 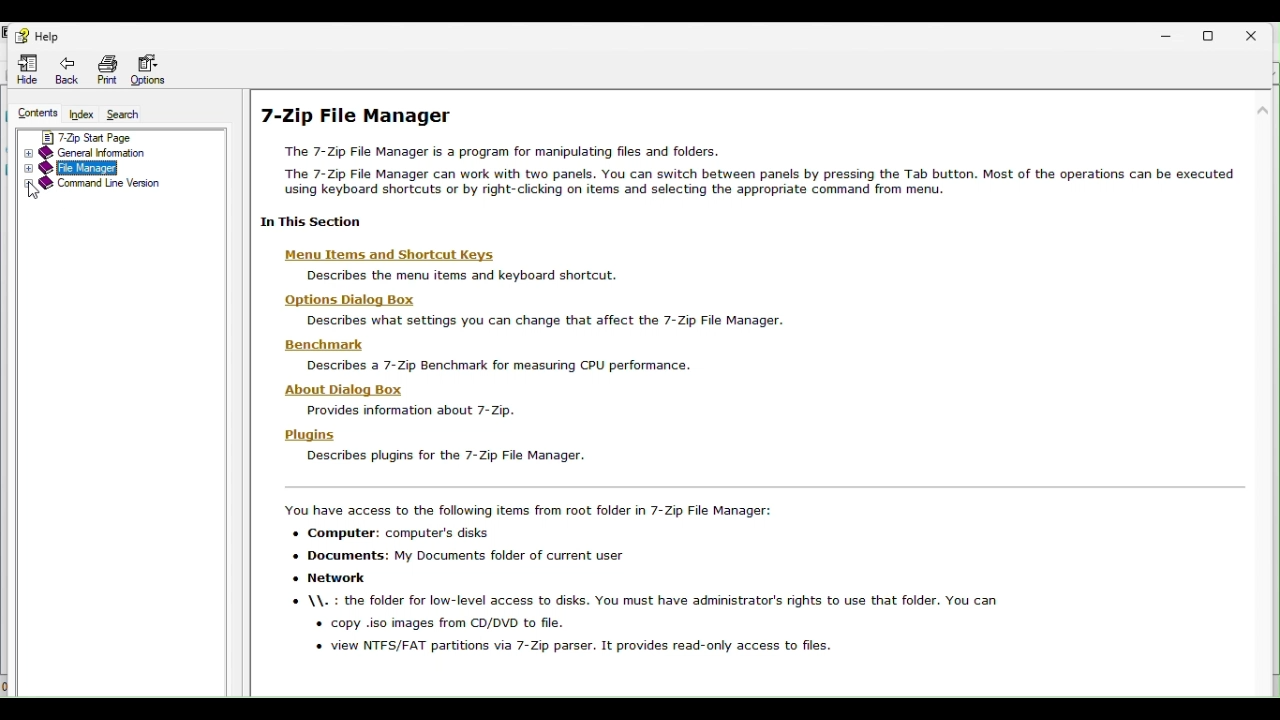 What do you see at coordinates (120, 153) in the screenshot?
I see `Gender information` at bounding box center [120, 153].